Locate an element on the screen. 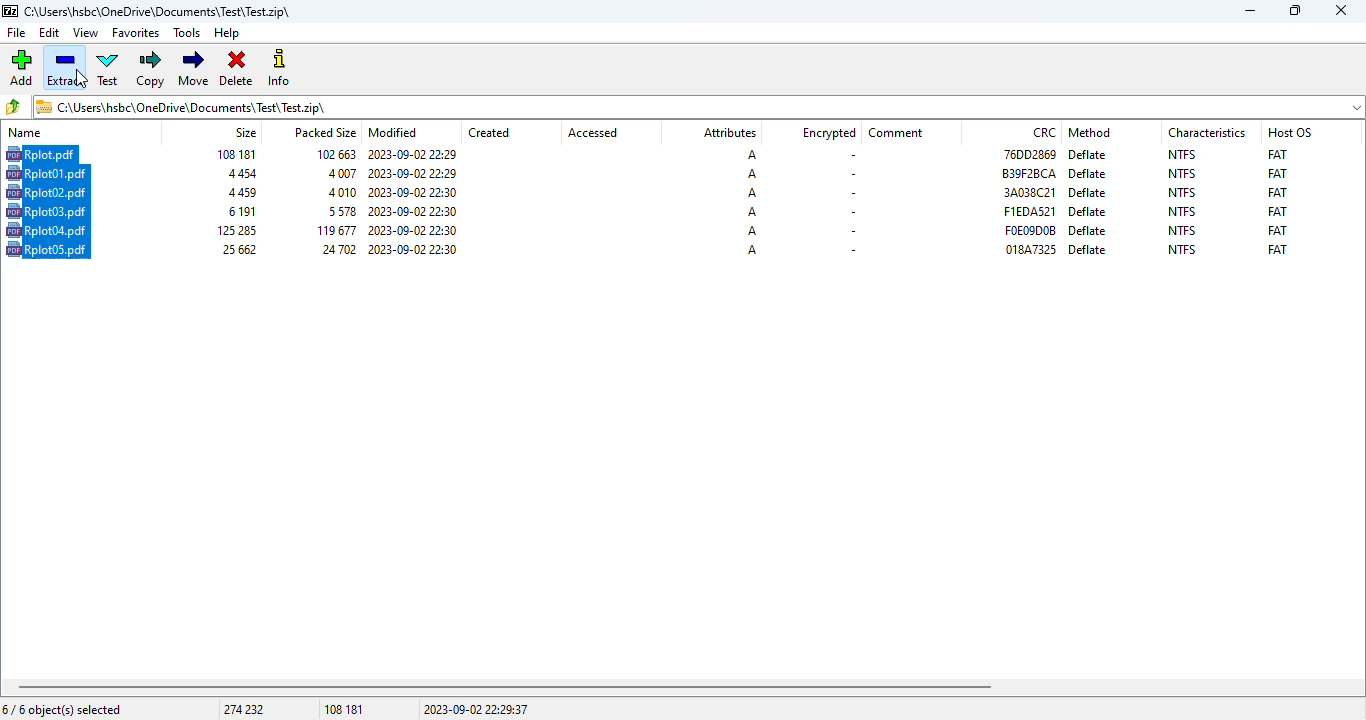 The image size is (1366, 720). deflate is located at coordinates (1089, 154).